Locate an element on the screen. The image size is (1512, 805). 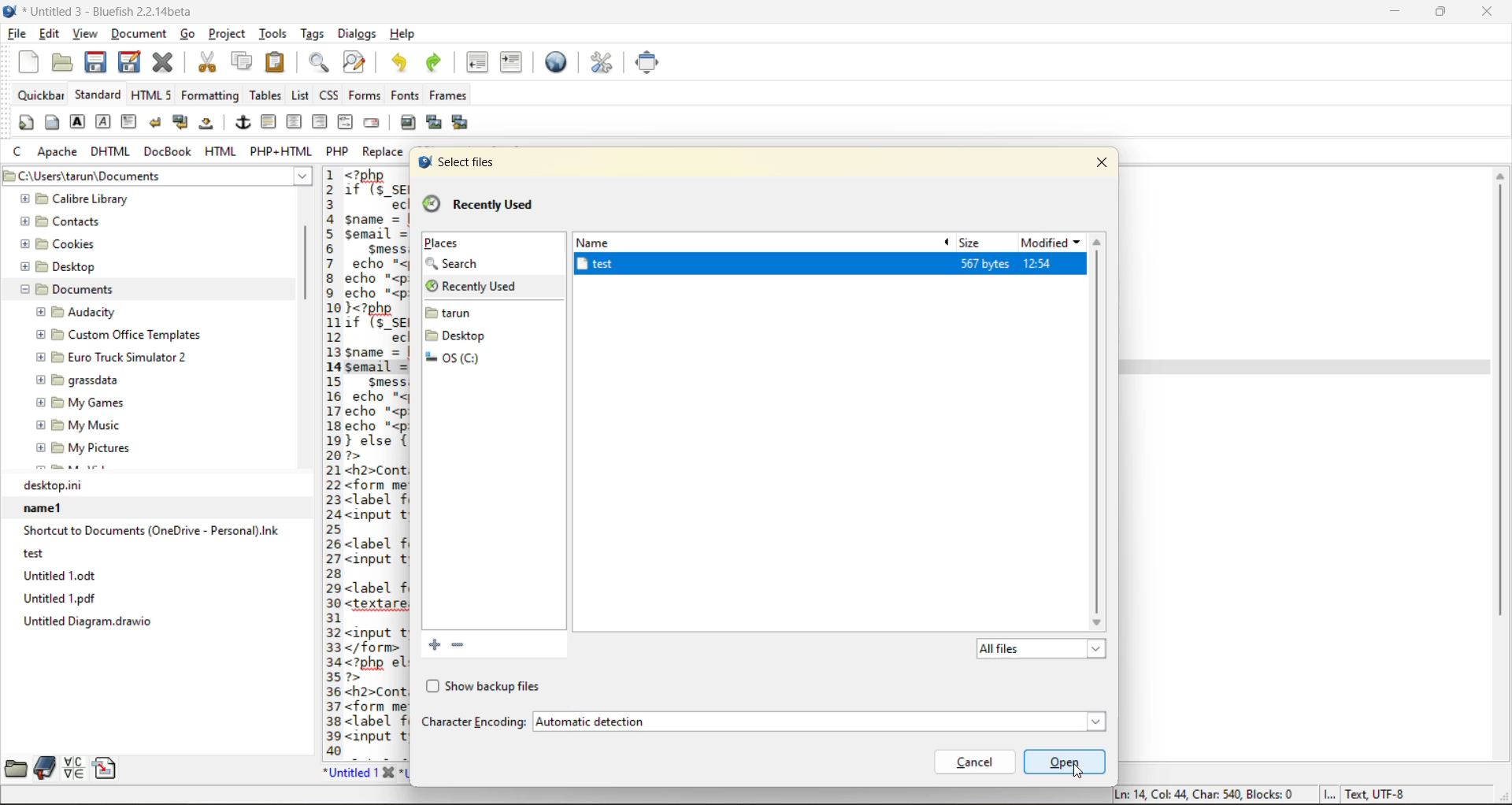
break and clear is located at coordinates (182, 124).